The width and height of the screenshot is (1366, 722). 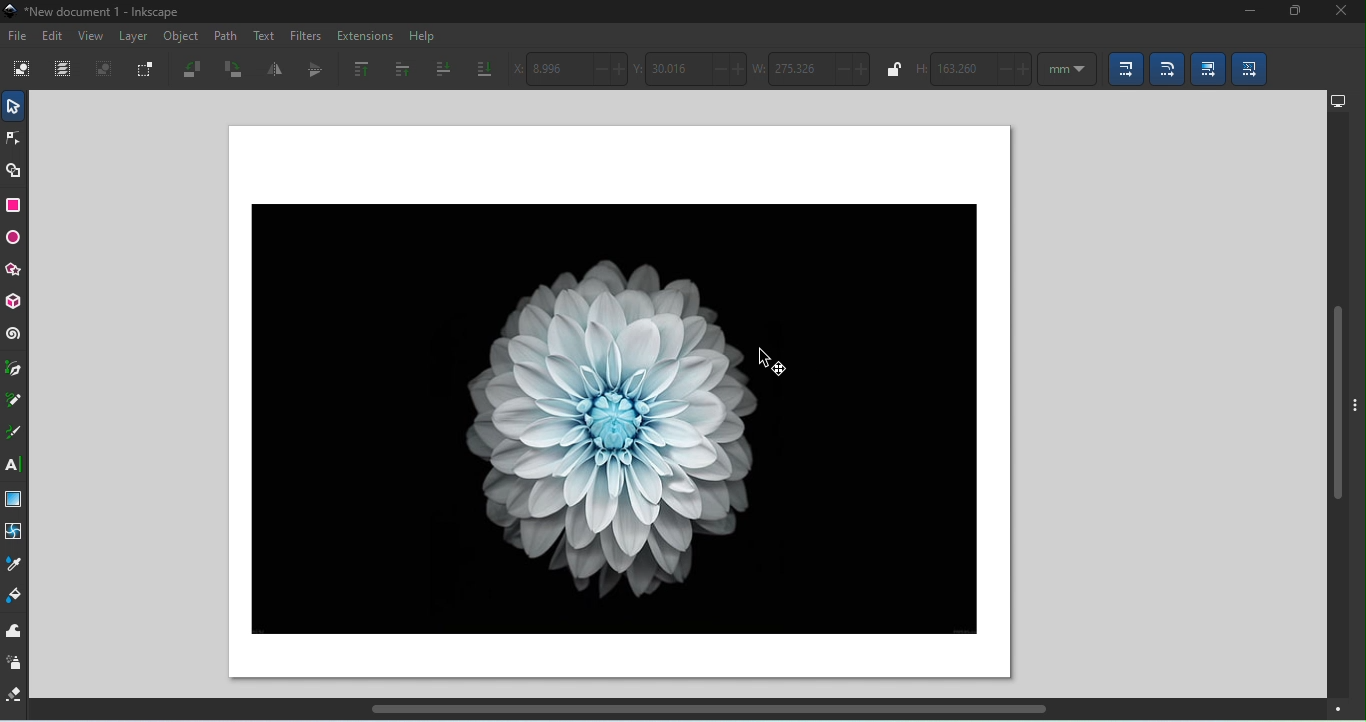 I want to click on Spray tool, so click(x=15, y=663).